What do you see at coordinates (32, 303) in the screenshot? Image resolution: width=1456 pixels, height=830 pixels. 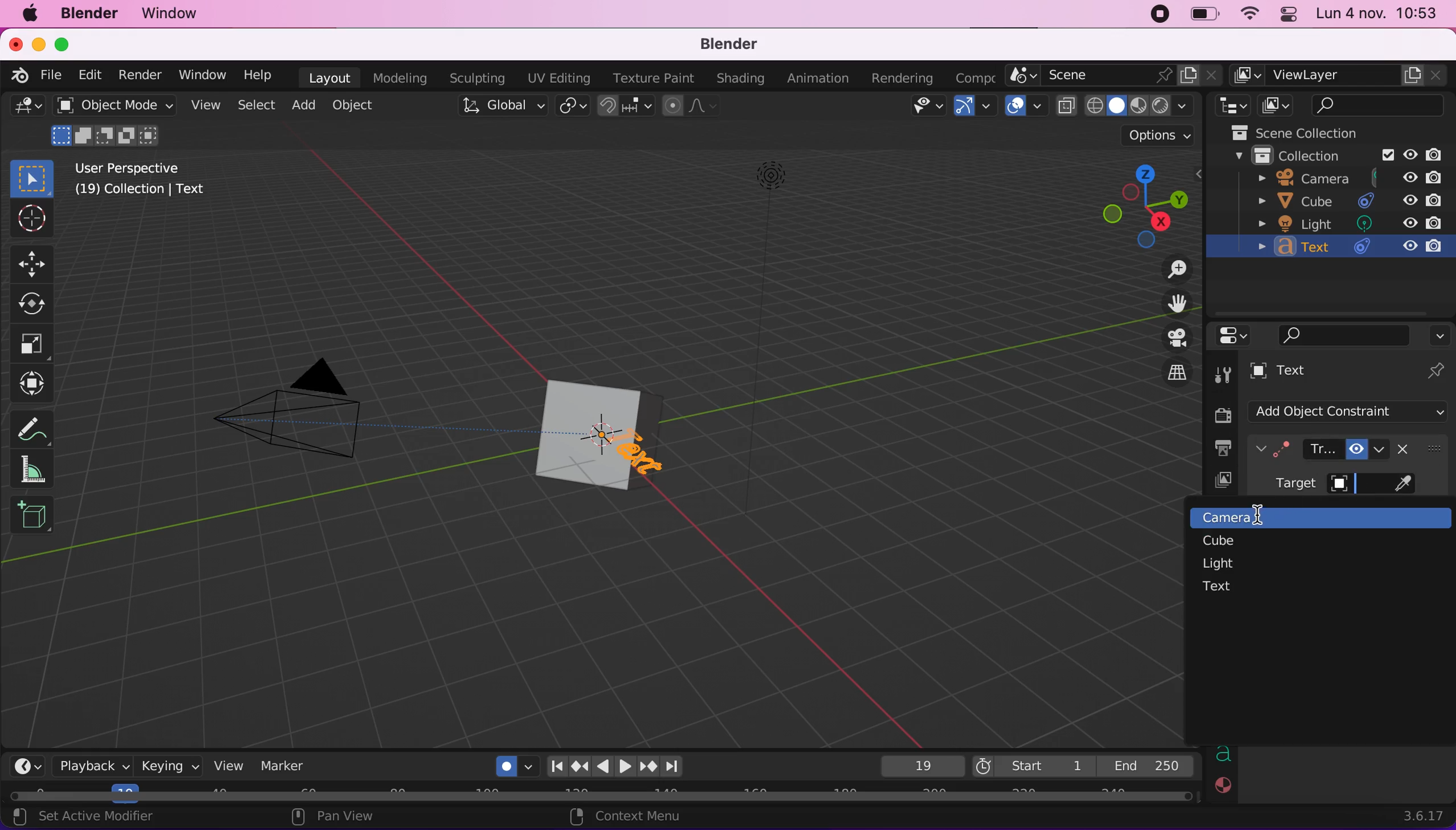 I see `rotate` at bounding box center [32, 303].